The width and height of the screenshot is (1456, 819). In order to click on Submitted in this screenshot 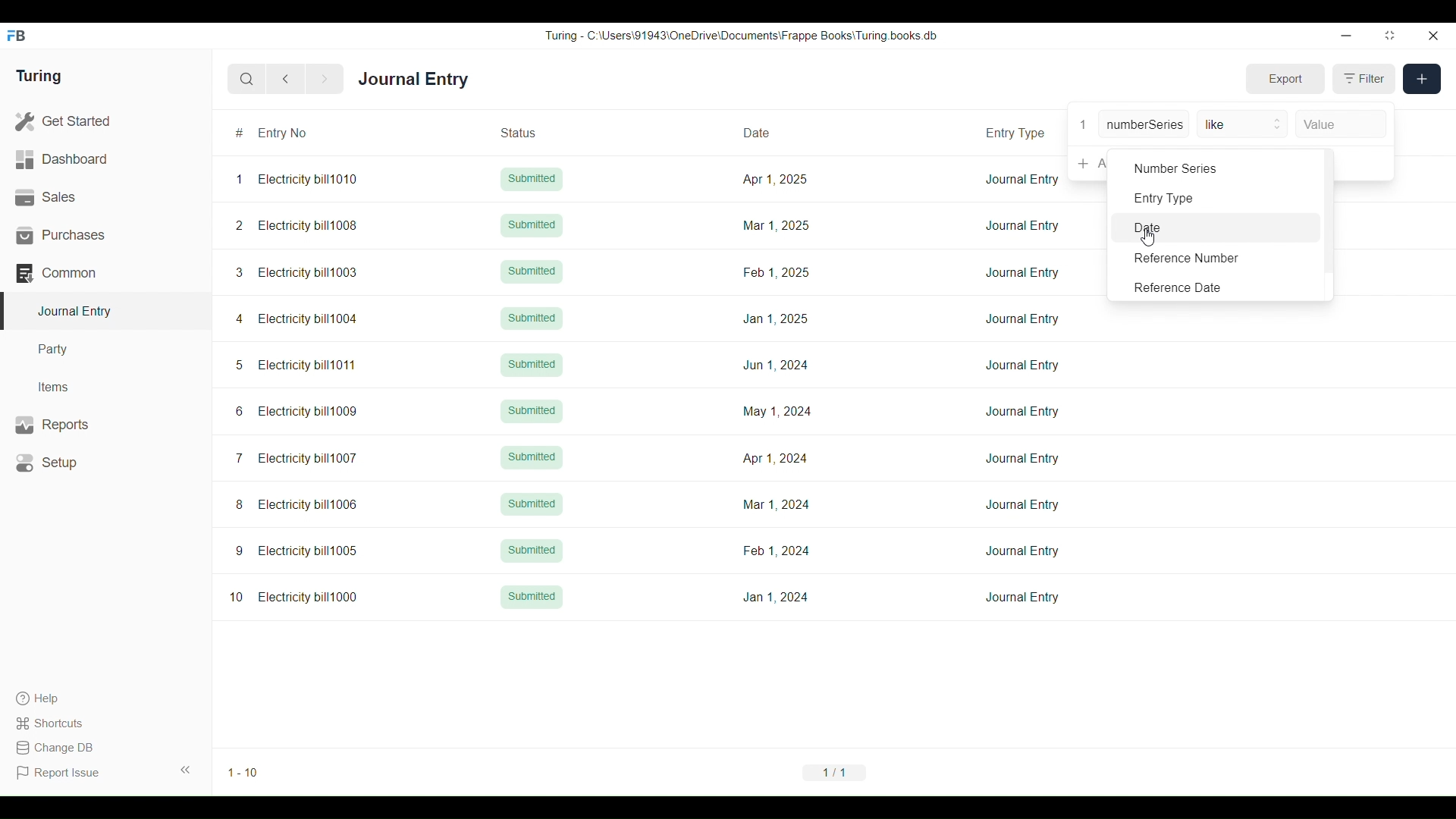, I will do `click(532, 365)`.